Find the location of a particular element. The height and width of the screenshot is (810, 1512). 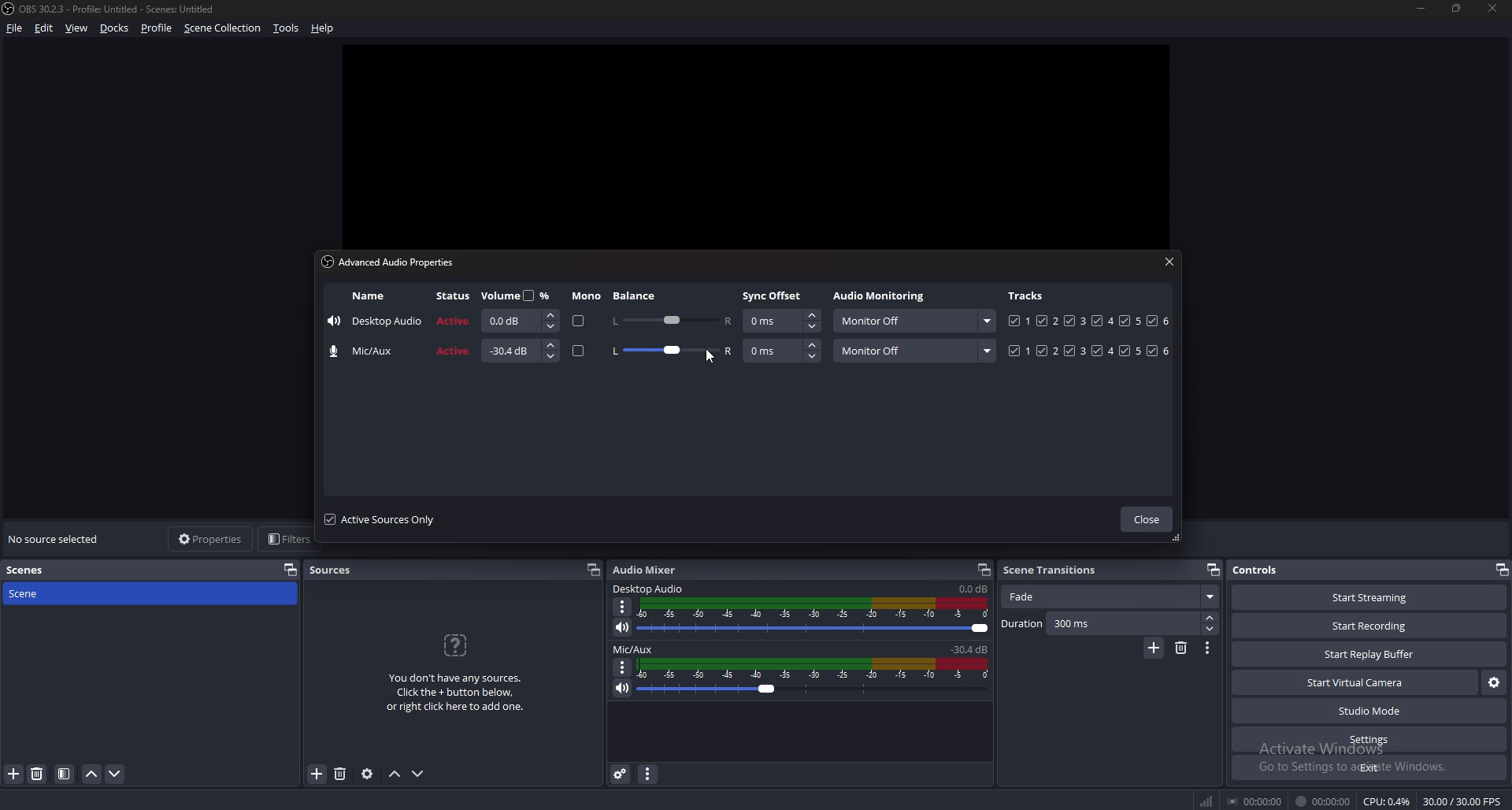

pop out is located at coordinates (984, 570).